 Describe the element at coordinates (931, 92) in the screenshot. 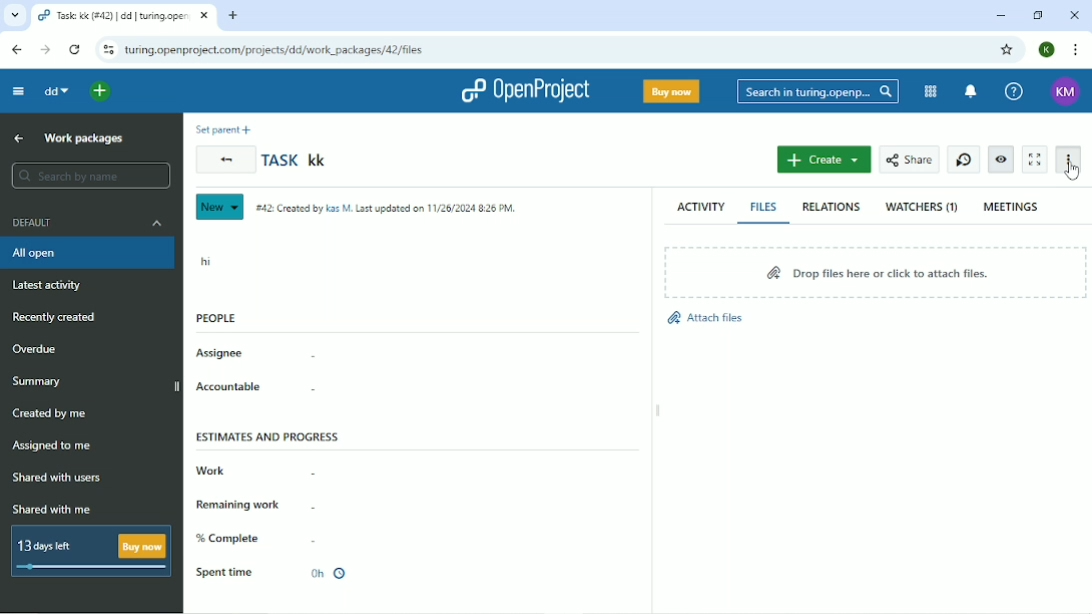

I see `Modules` at that location.